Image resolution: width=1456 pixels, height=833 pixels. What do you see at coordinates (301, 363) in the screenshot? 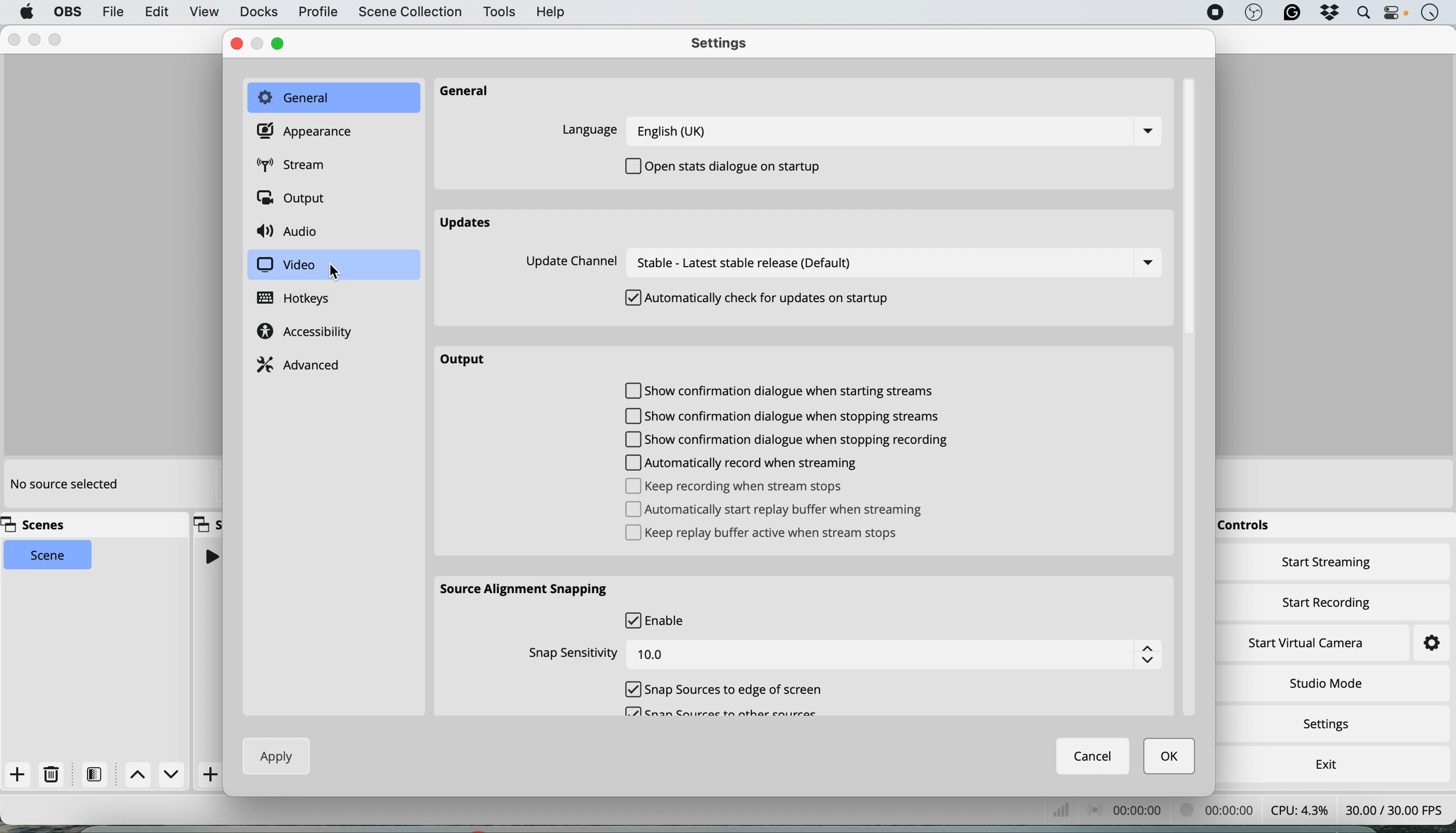
I see `advanced` at bounding box center [301, 363].